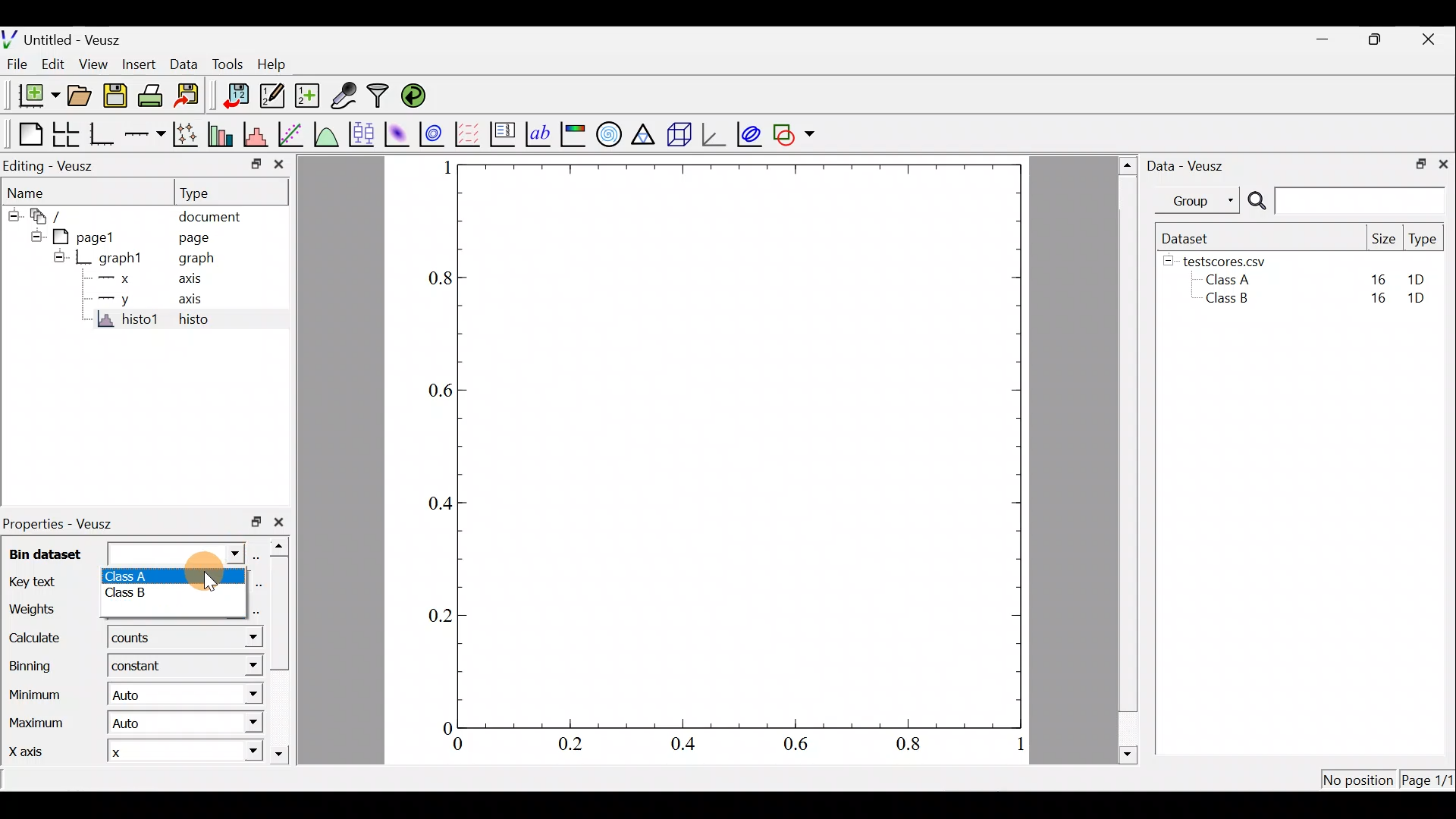  I want to click on y, so click(112, 298).